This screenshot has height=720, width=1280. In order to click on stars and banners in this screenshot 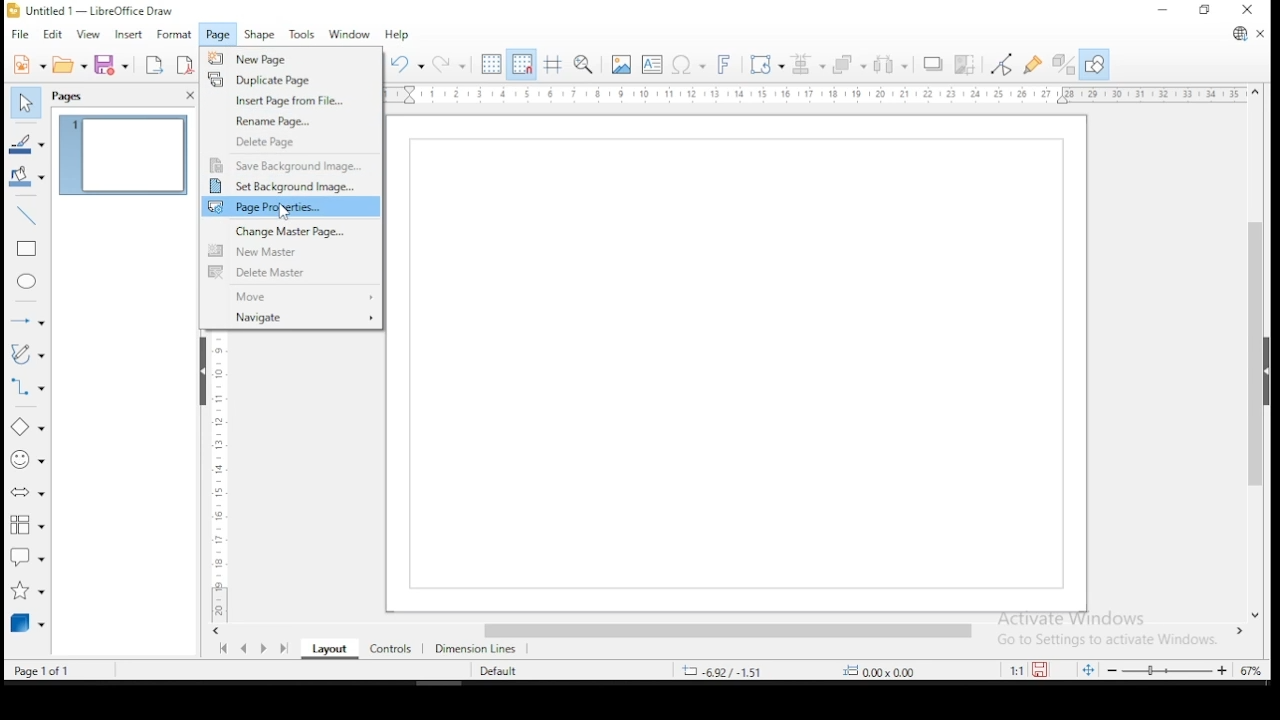, I will do `click(25, 591)`.